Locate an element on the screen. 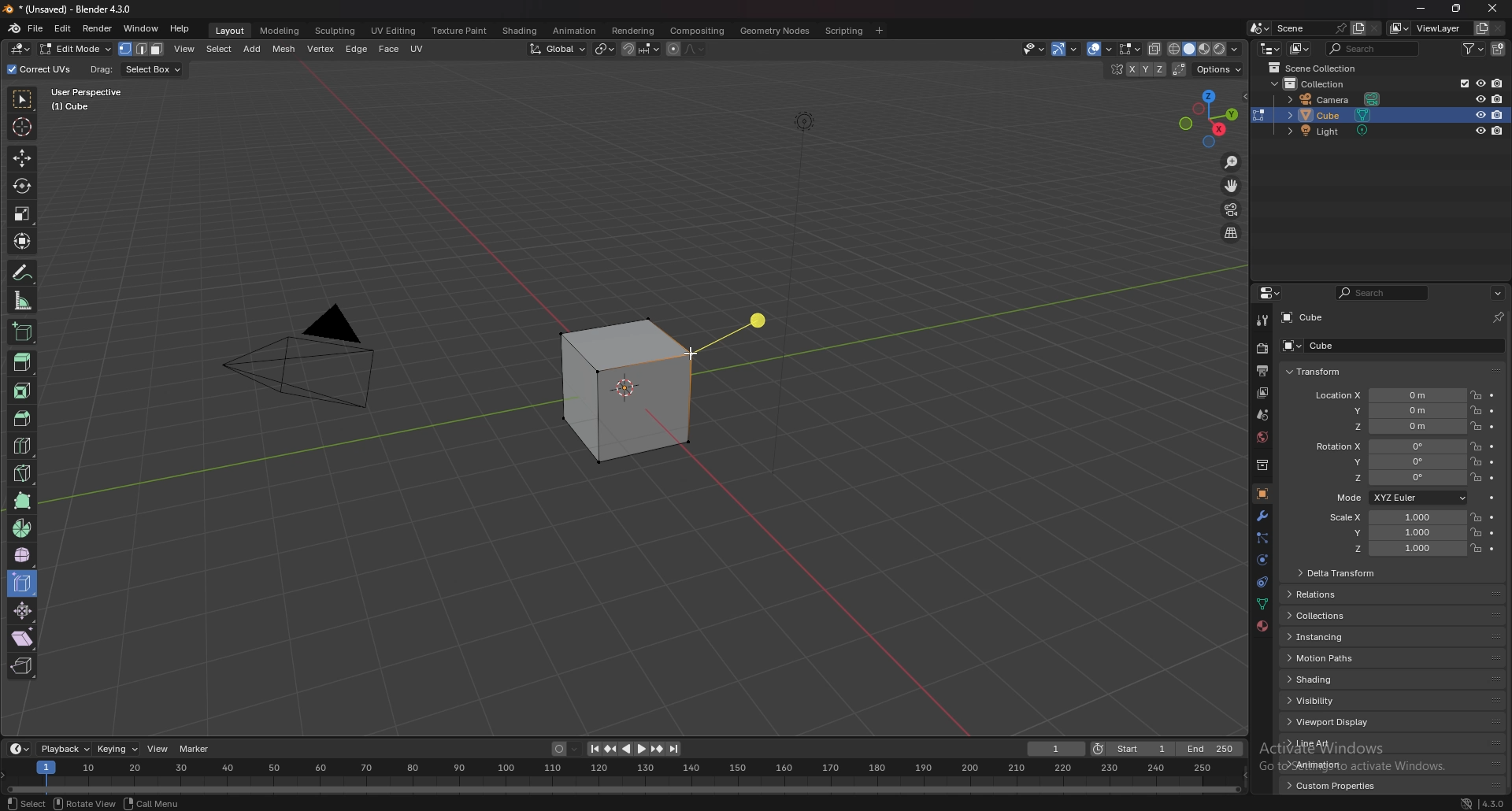  shading is located at coordinates (521, 30).